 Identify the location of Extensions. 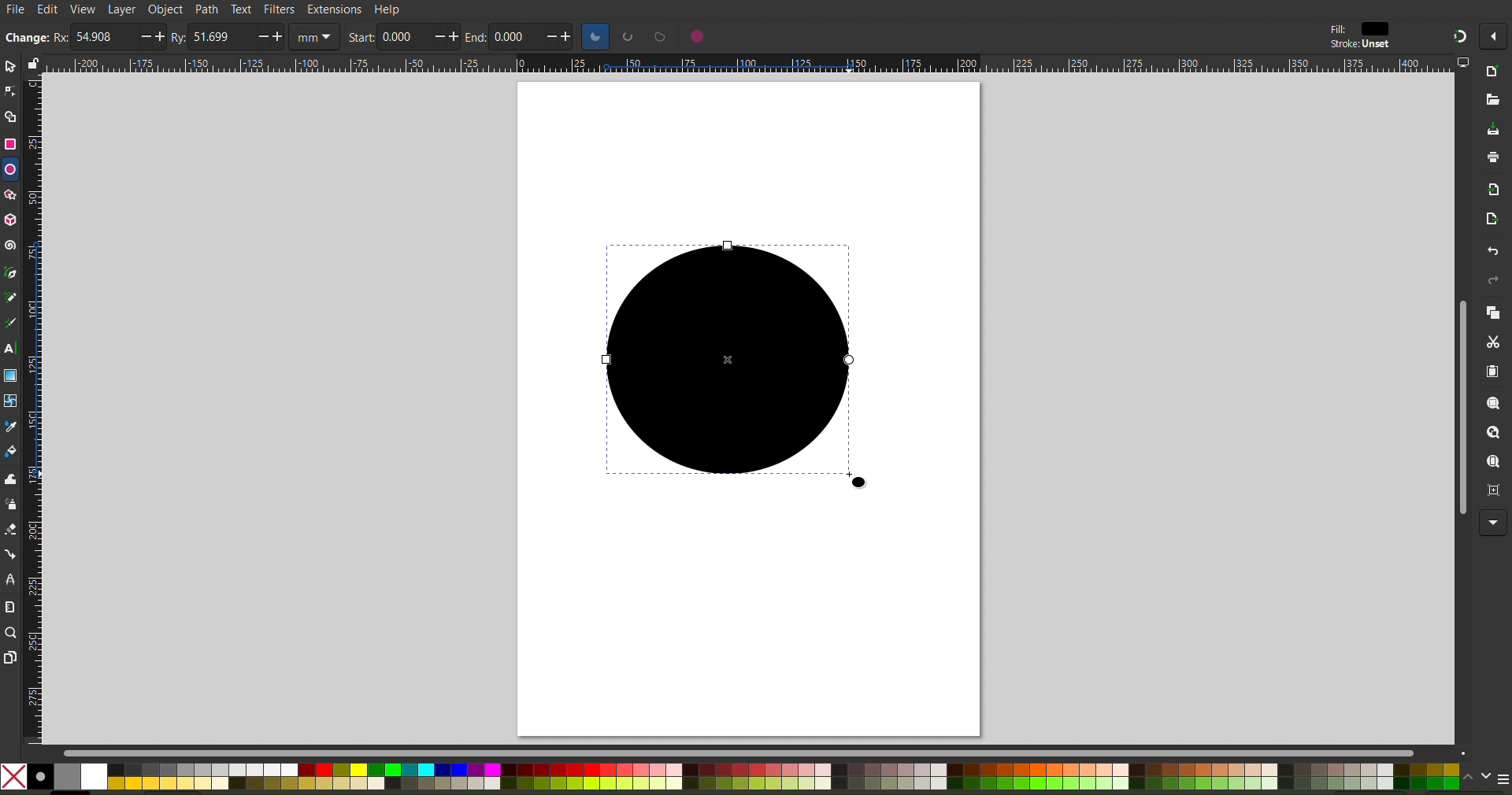
(333, 9).